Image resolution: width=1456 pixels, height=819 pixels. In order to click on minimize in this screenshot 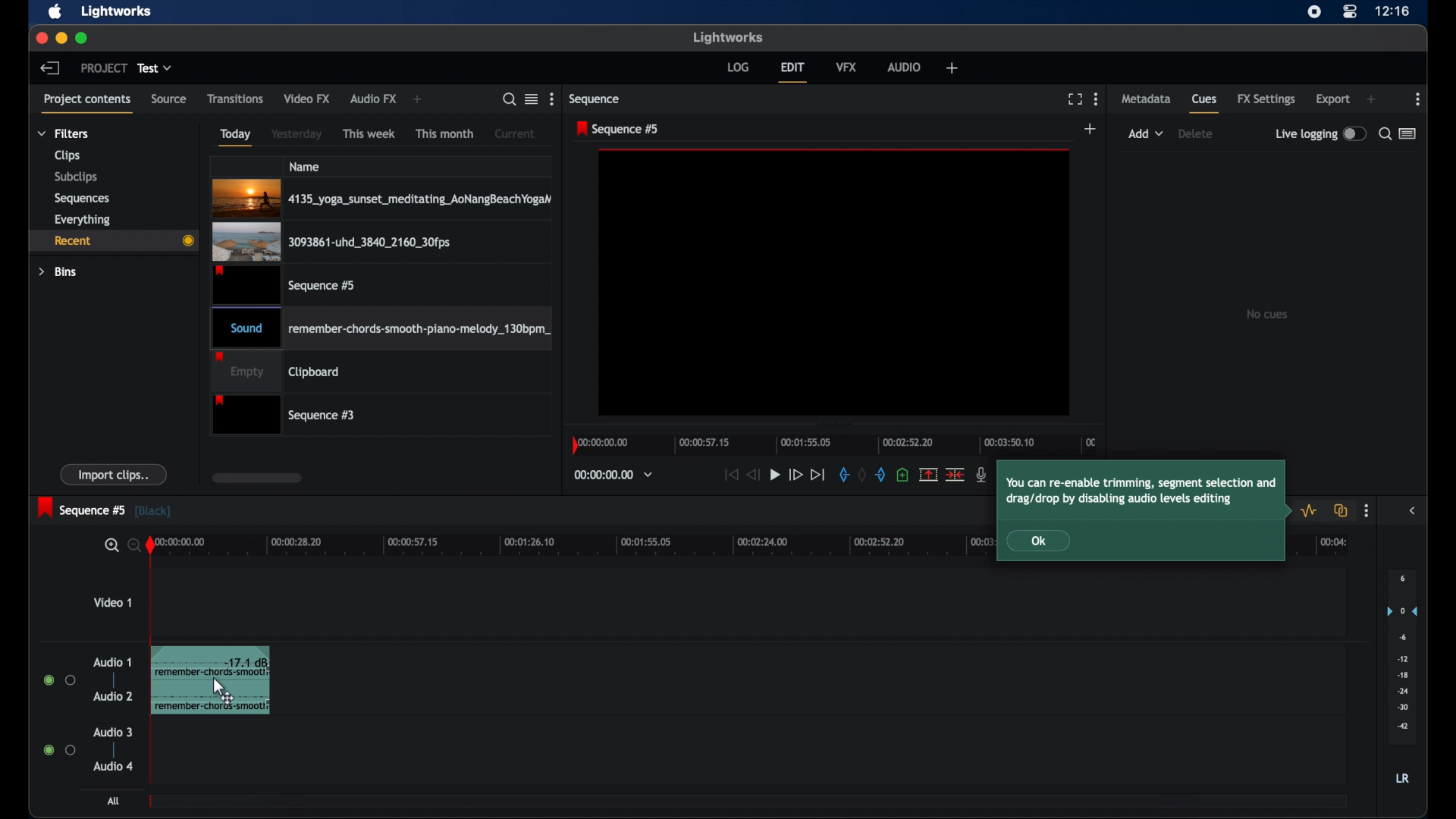, I will do `click(61, 38)`.